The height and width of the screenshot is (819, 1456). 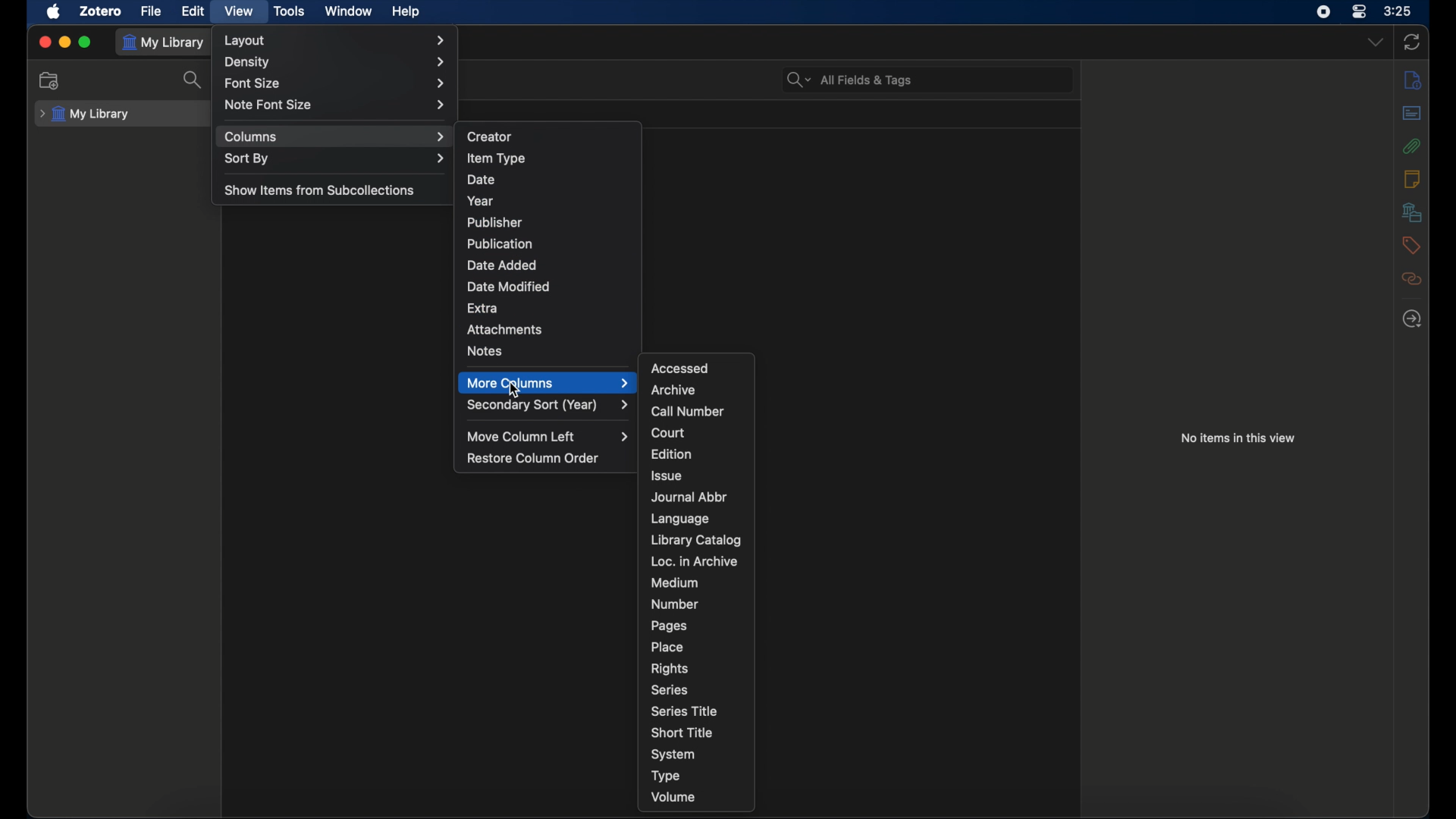 I want to click on help, so click(x=405, y=12).